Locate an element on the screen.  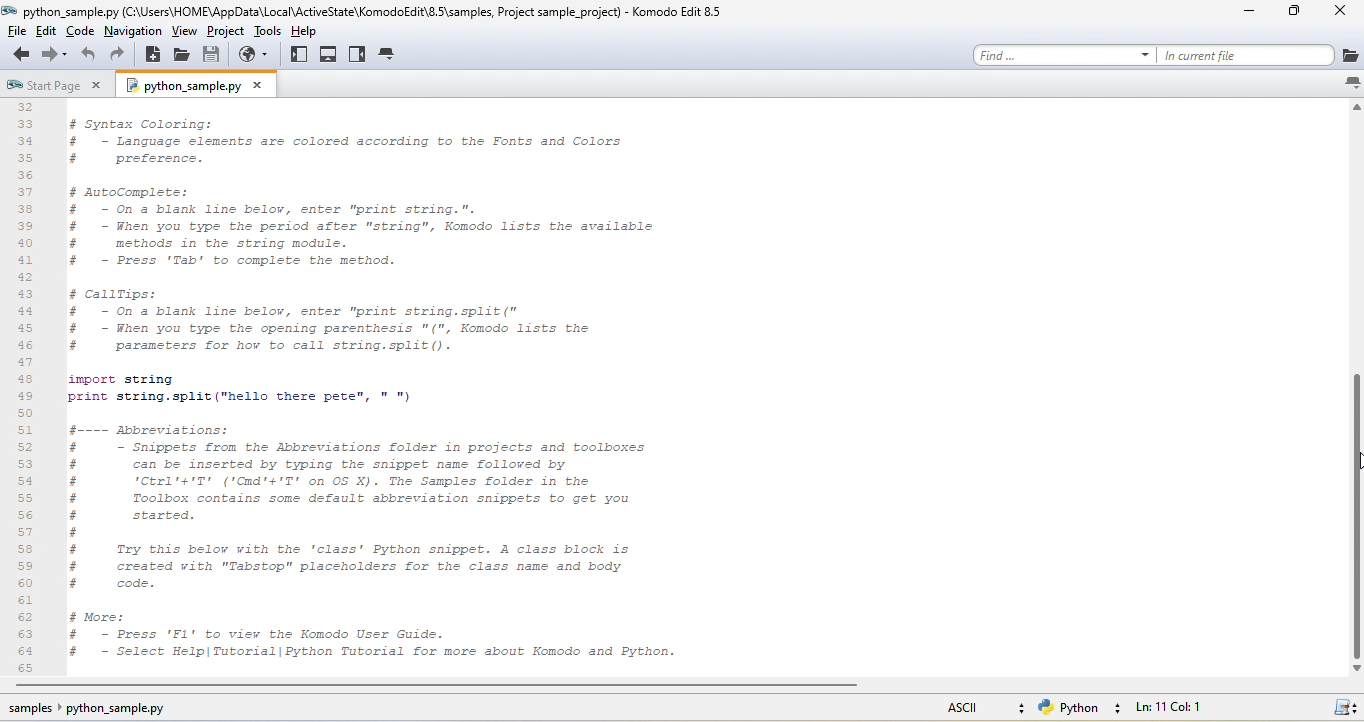
title is located at coordinates (373, 11).